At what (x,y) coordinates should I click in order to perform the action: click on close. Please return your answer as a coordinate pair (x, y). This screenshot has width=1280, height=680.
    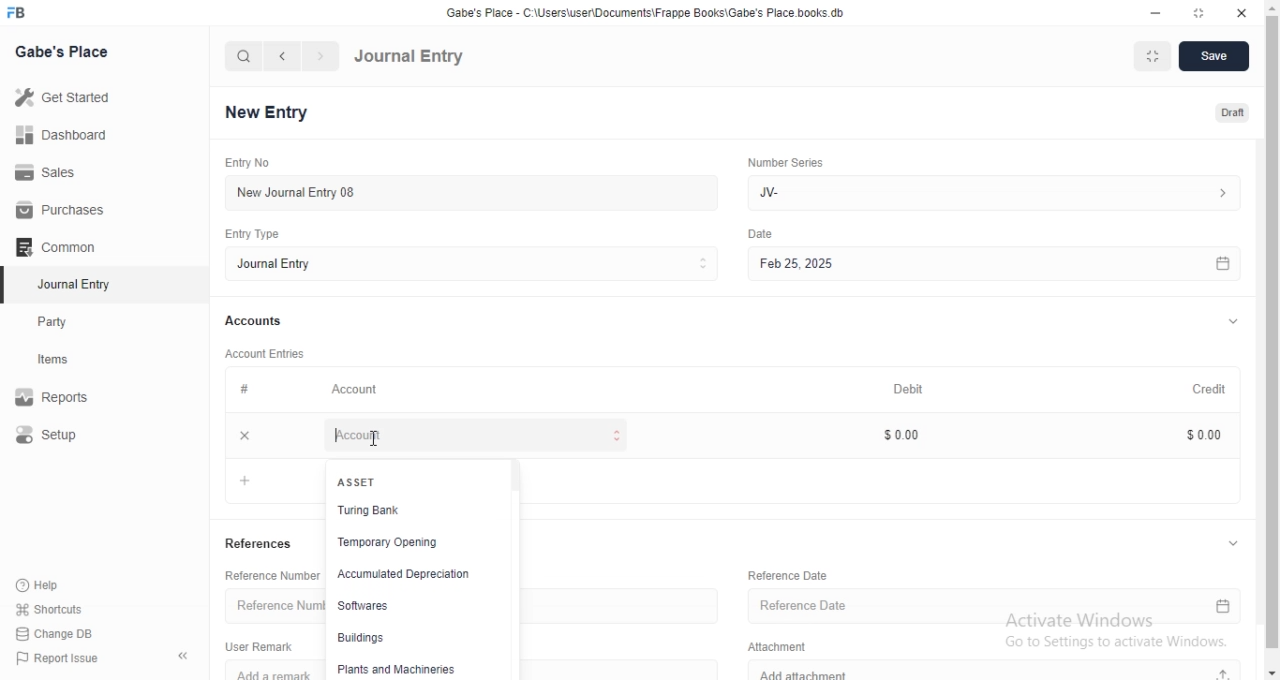
    Looking at the image, I should click on (245, 435).